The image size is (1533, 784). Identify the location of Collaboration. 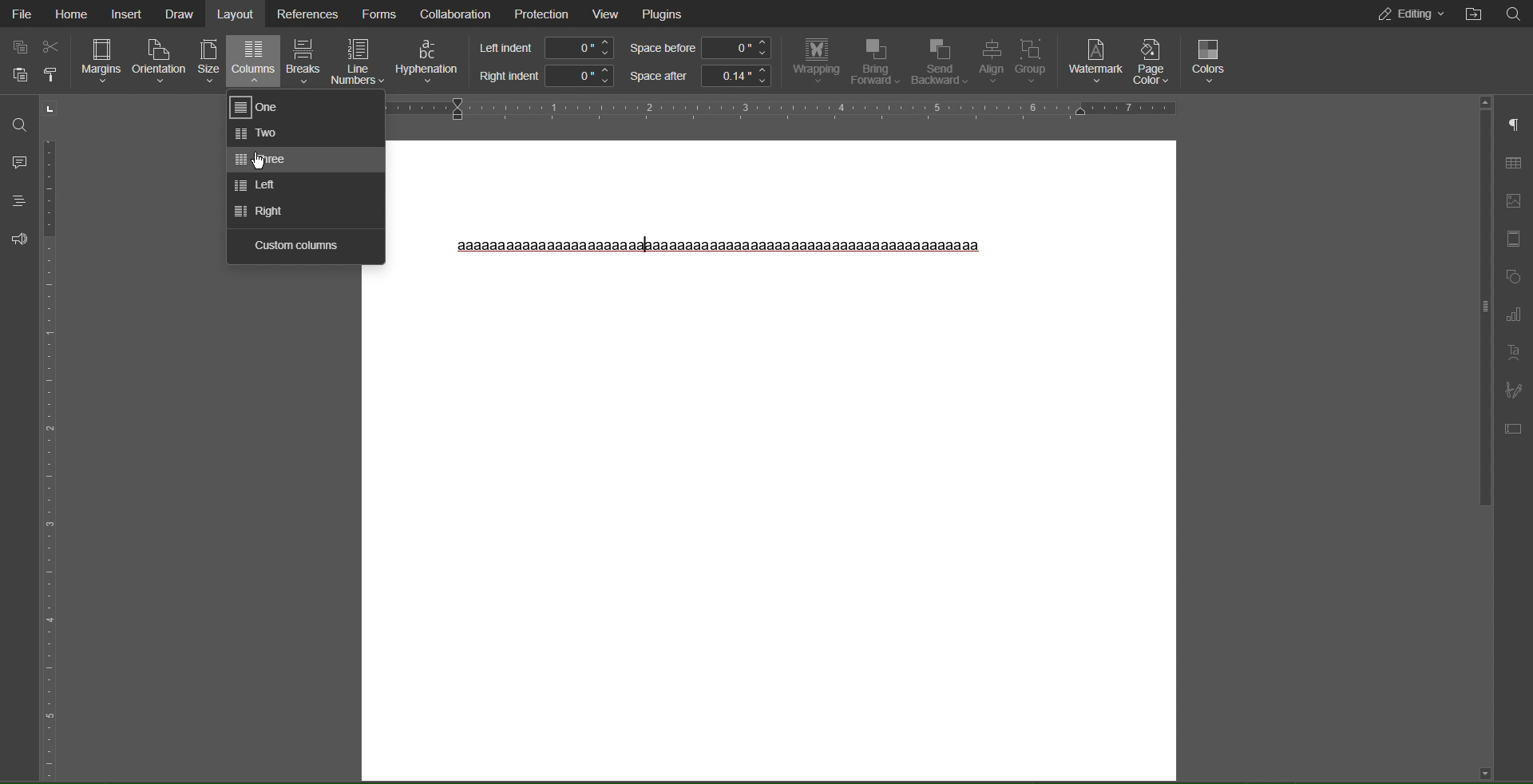
(456, 14).